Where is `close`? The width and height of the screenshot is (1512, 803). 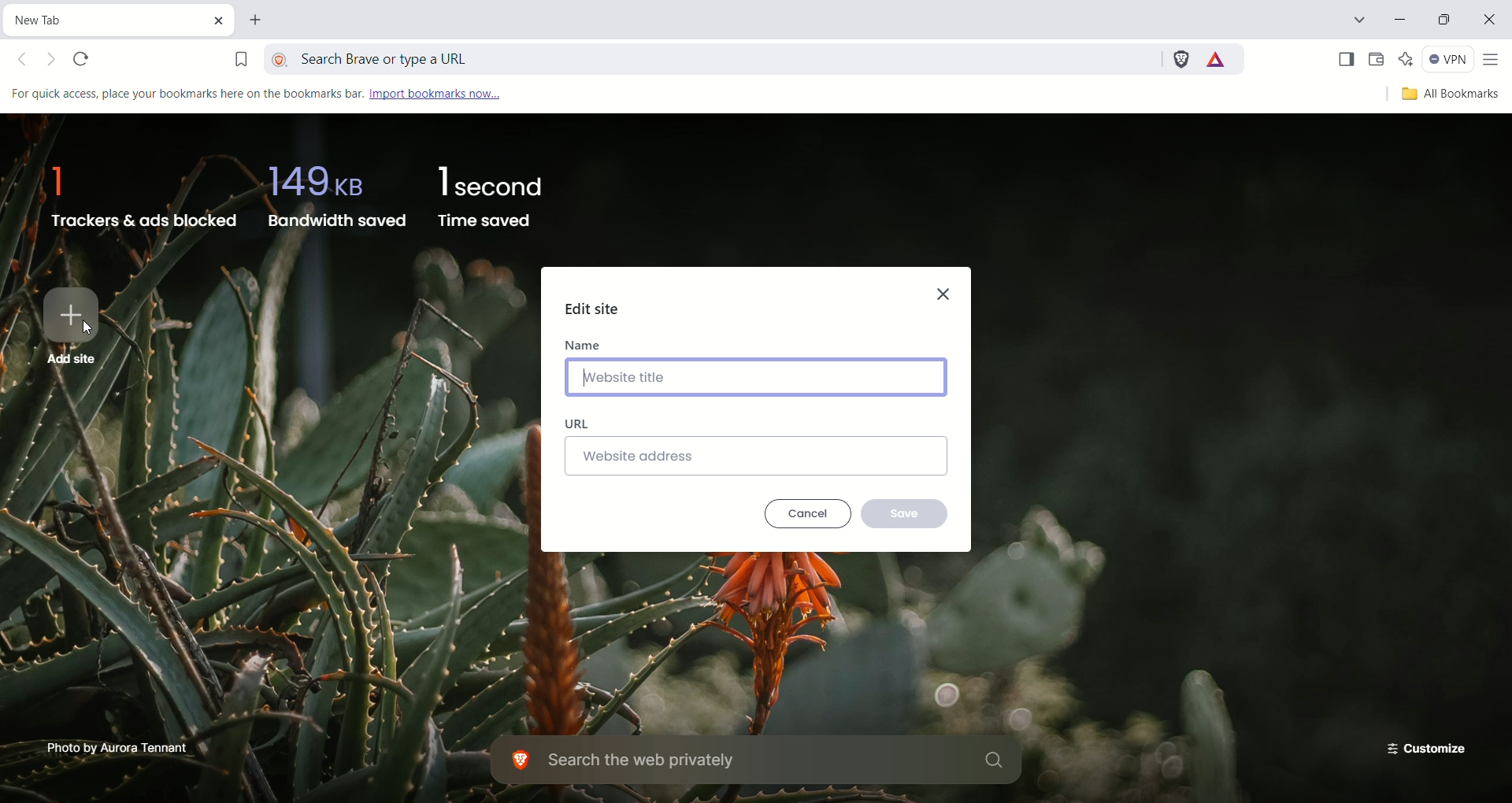 close is located at coordinates (947, 290).